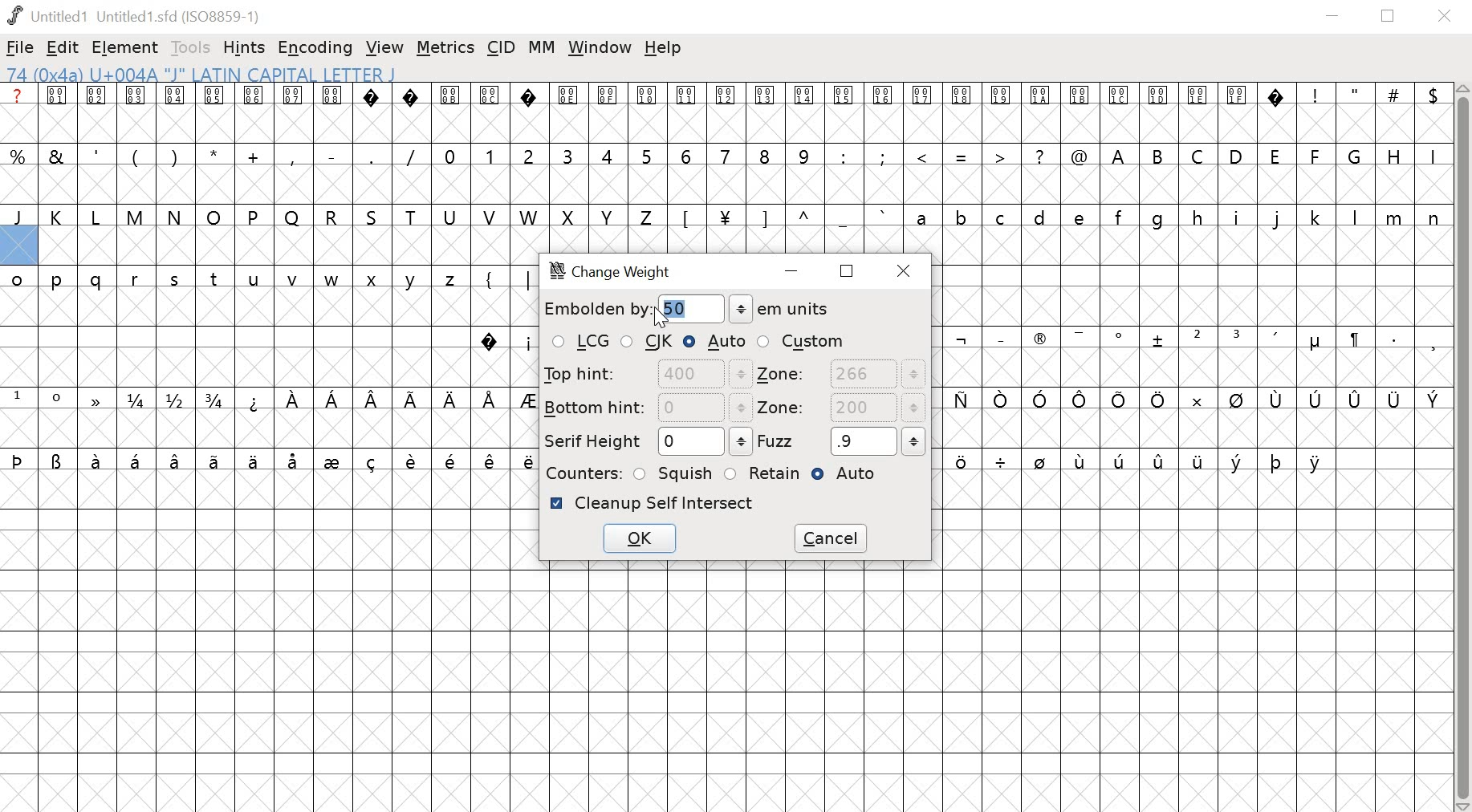 The image size is (1472, 812). What do you see at coordinates (638, 541) in the screenshot?
I see `OK` at bounding box center [638, 541].